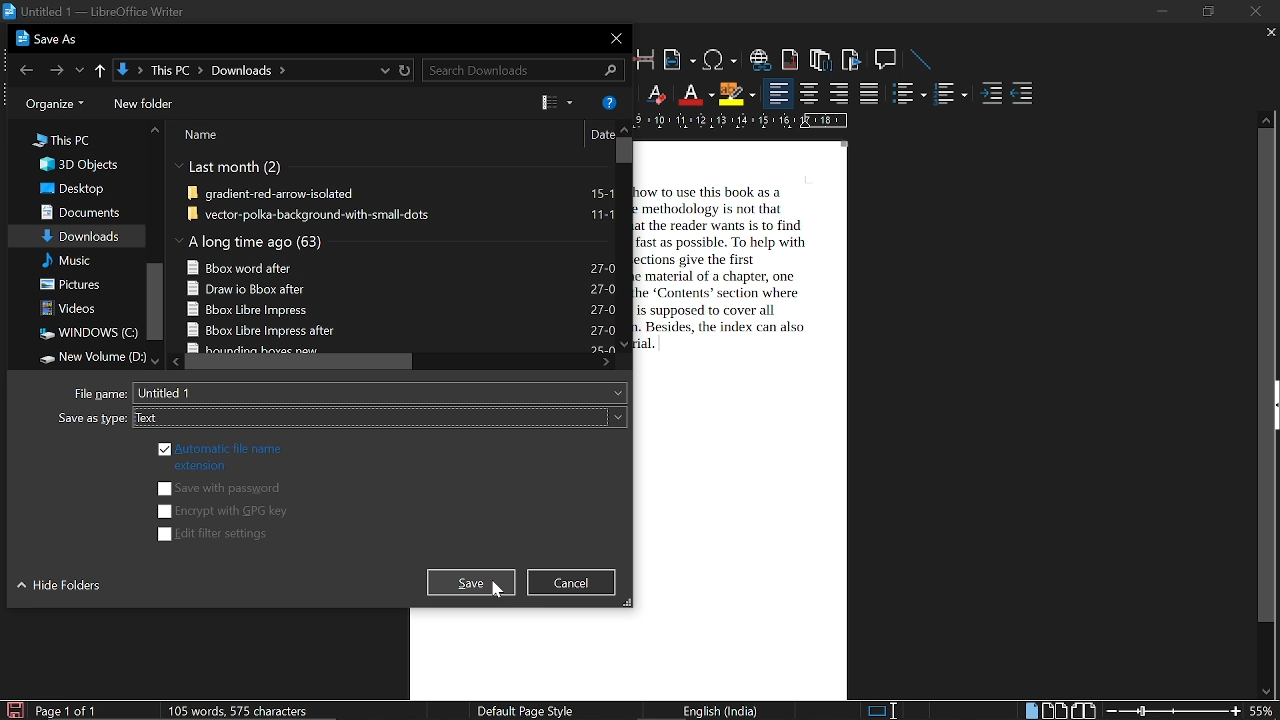 Image resolution: width=1280 pixels, height=720 pixels. What do you see at coordinates (887, 60) in the screenshot?
I see `insert comment` at bounding box center [887, 60].